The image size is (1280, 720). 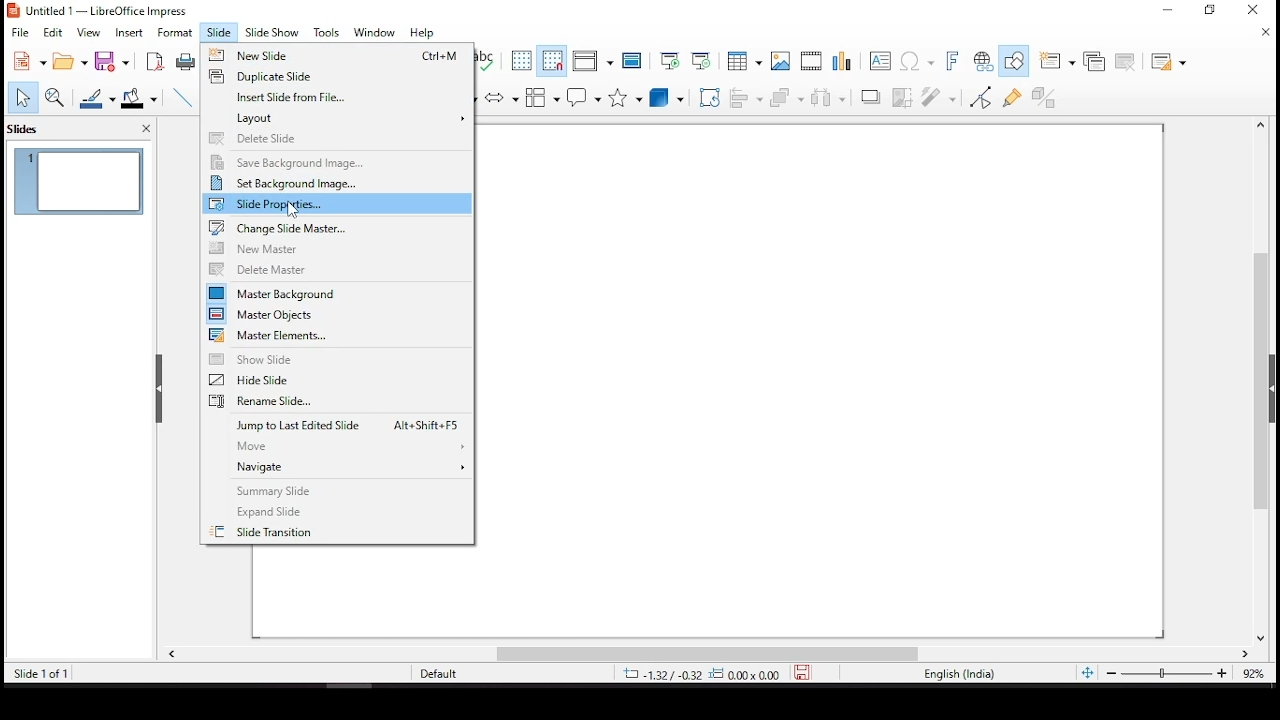 What do you see at coordinates (336, 380) in the screenshot?
I see `hide slide` at bounding box center [336, 380].